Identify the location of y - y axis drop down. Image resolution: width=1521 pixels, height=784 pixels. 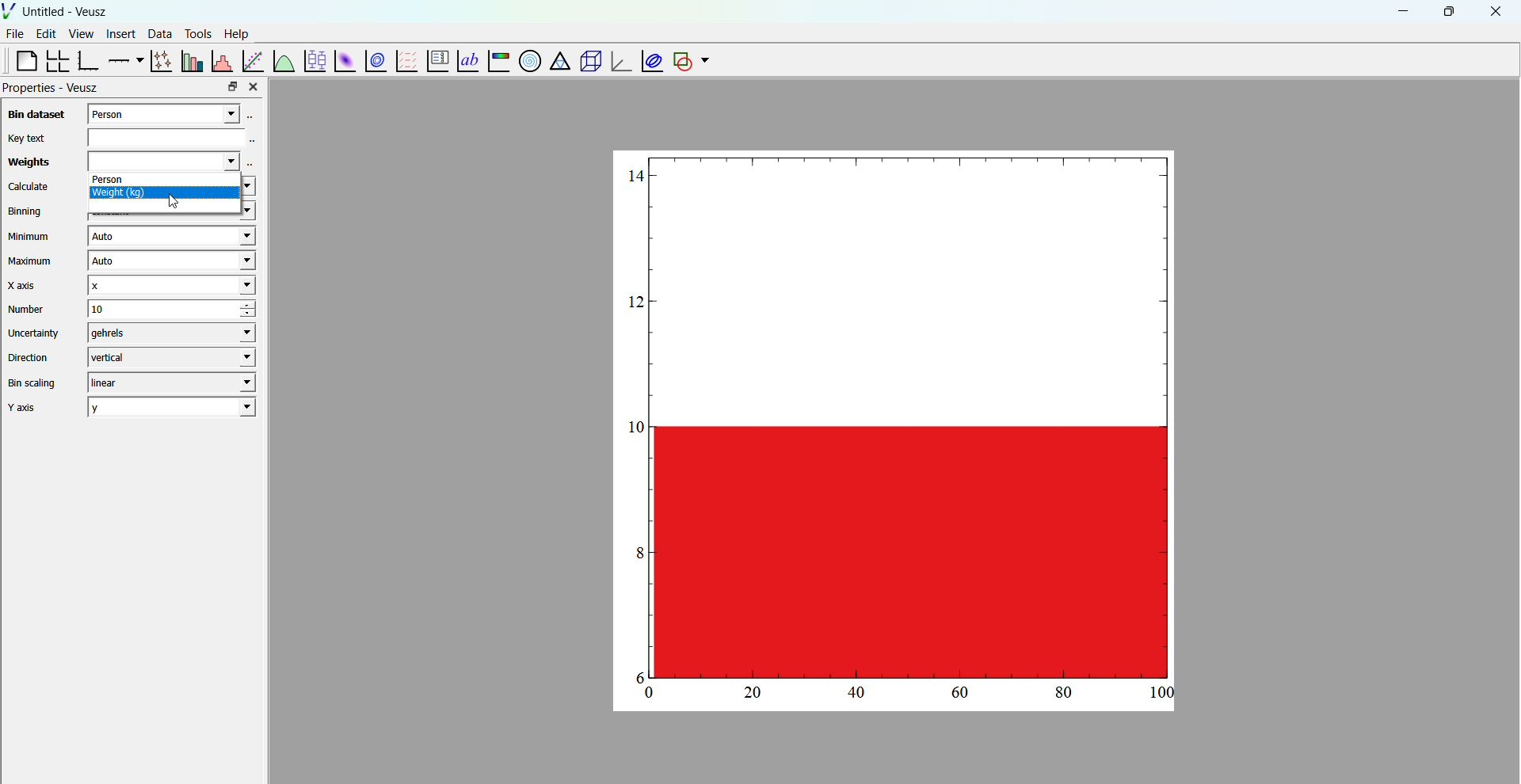
(172, 407).